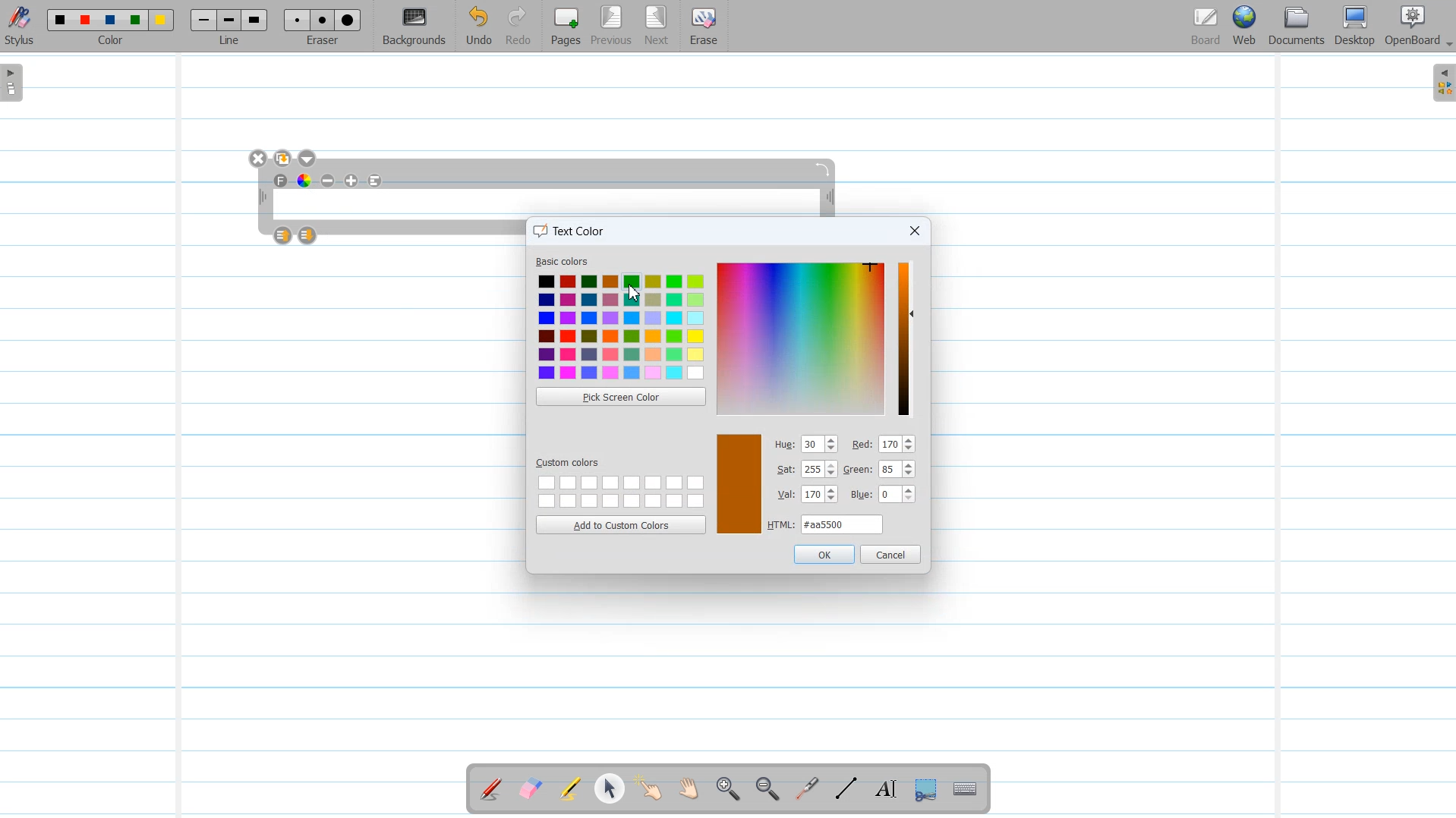  Describe the element at coordinates (802, 338) in the screenshot. I see `Color shades` at that location.